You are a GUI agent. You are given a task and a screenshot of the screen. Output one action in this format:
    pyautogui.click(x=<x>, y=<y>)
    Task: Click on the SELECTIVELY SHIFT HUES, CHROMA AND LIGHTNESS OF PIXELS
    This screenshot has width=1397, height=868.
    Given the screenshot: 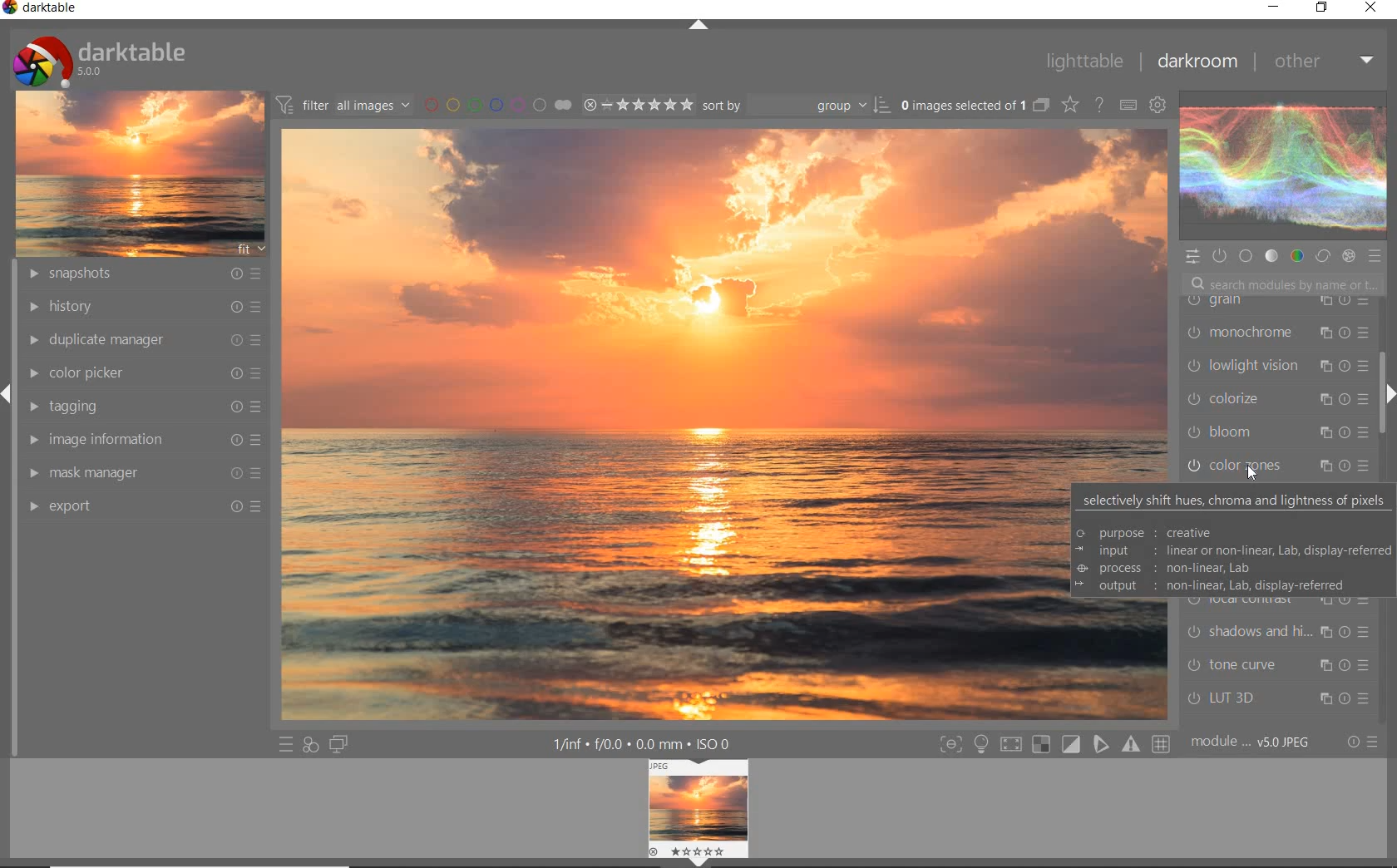 What is the action you would take?
    pyautogui.click(x=1232, y=542)
    